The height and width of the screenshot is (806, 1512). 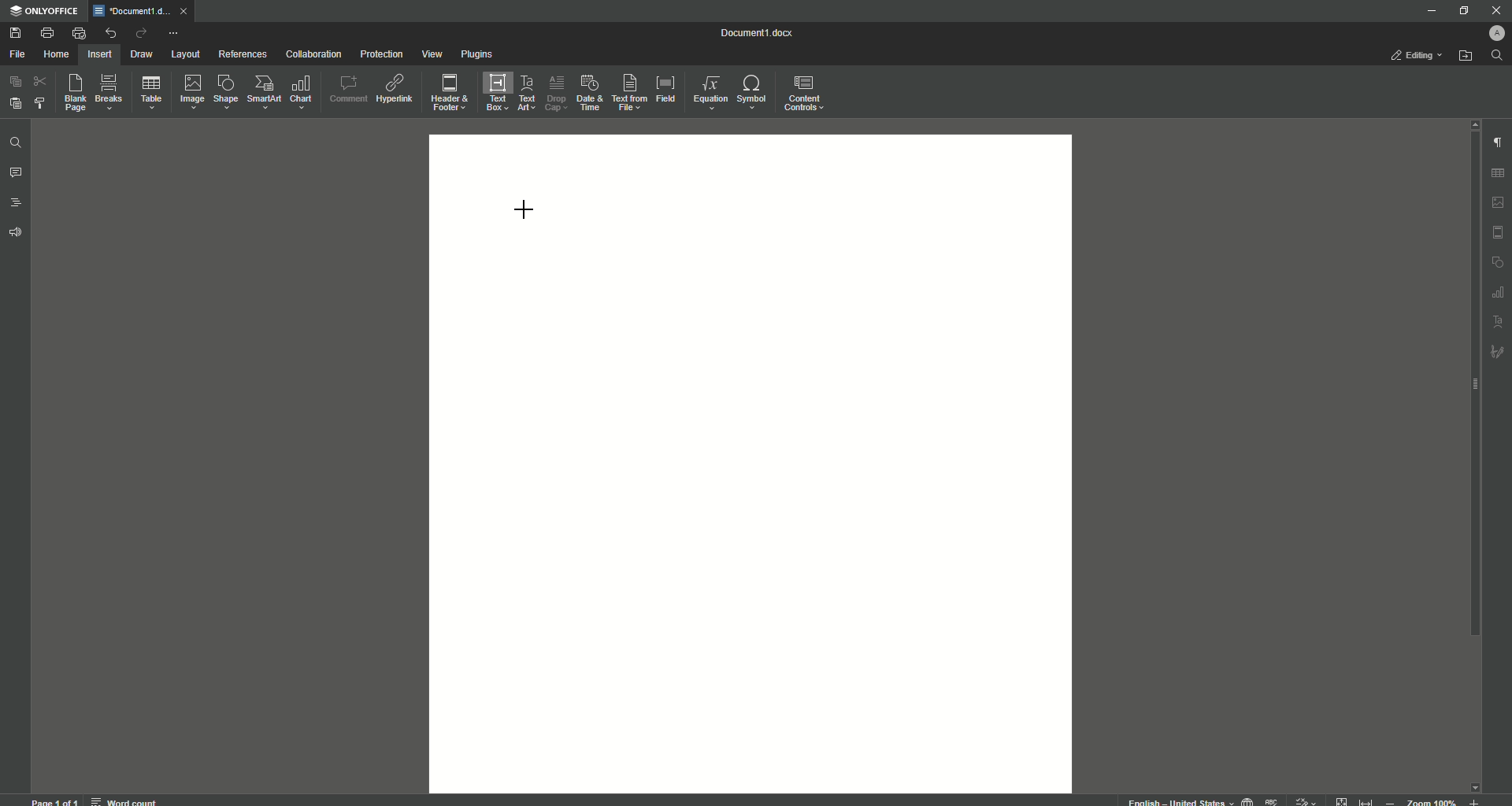 What do you see at coordinates (589, 93) in the screenshot?
I see `Date and Time` at bounding box center [589, 93].